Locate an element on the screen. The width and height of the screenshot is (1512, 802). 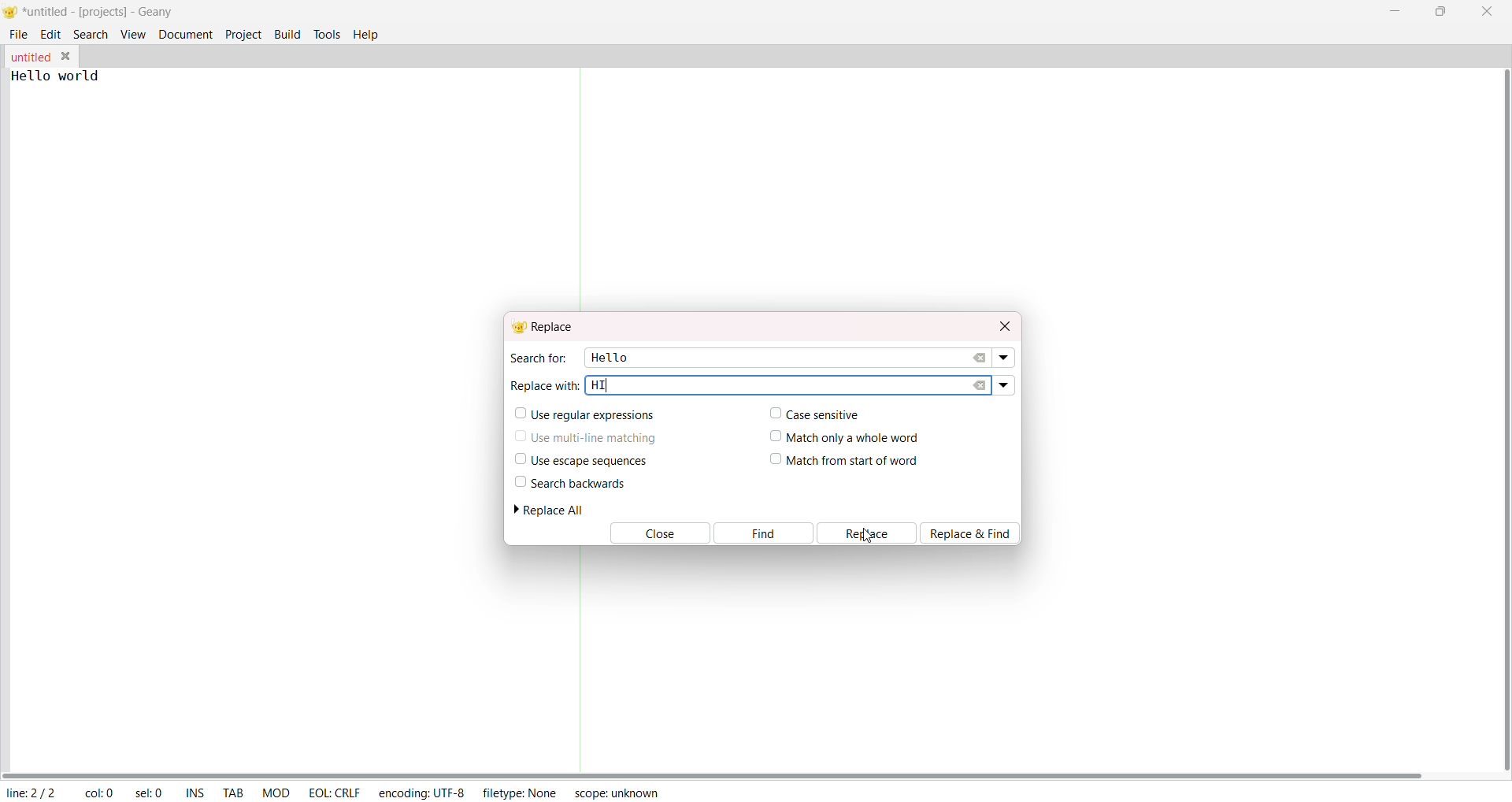
tab name is located at coordinates (30, 57).